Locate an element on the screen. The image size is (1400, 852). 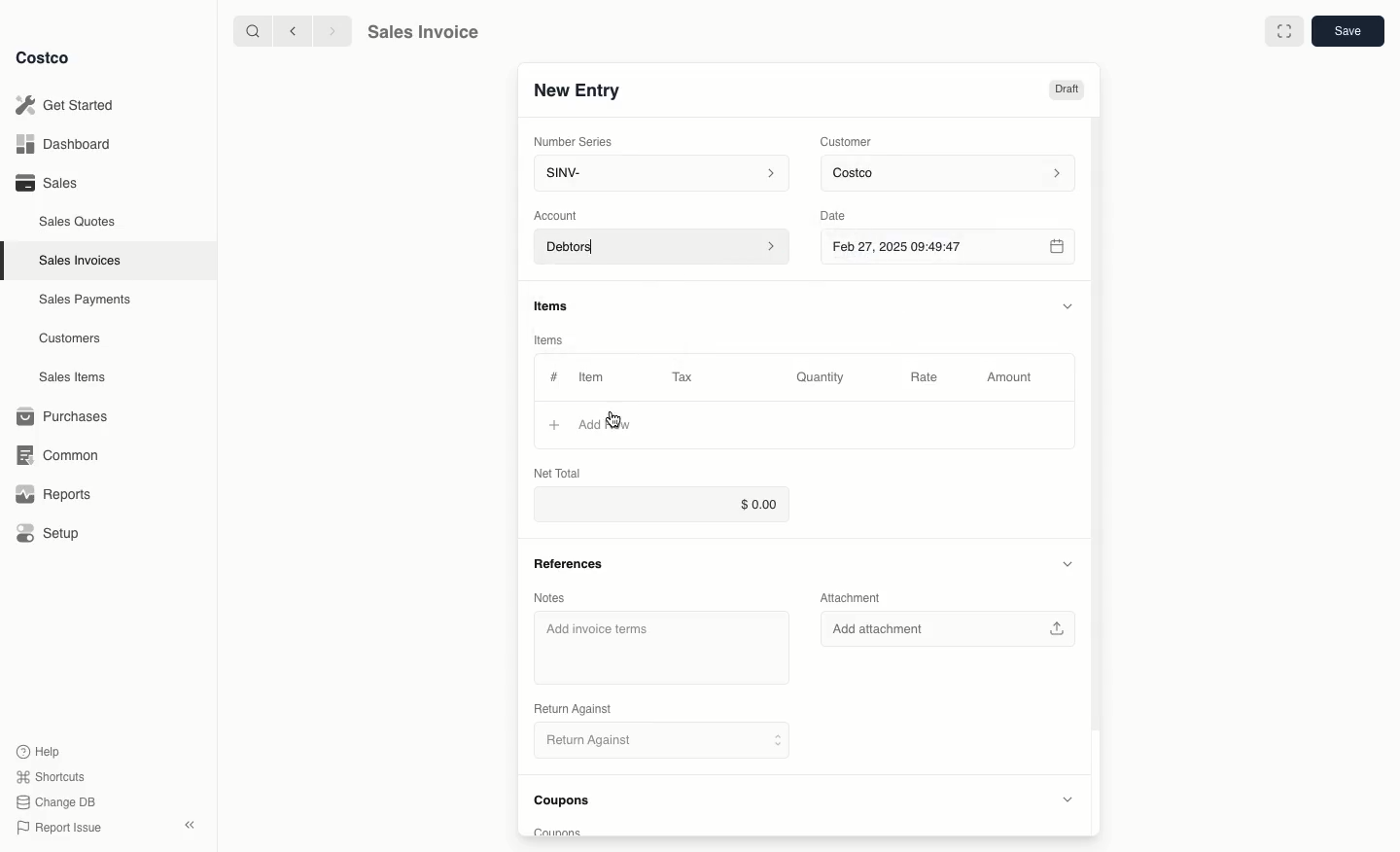
Feb 27, 2025 09:49:47 is located at coordinates (947, 246).